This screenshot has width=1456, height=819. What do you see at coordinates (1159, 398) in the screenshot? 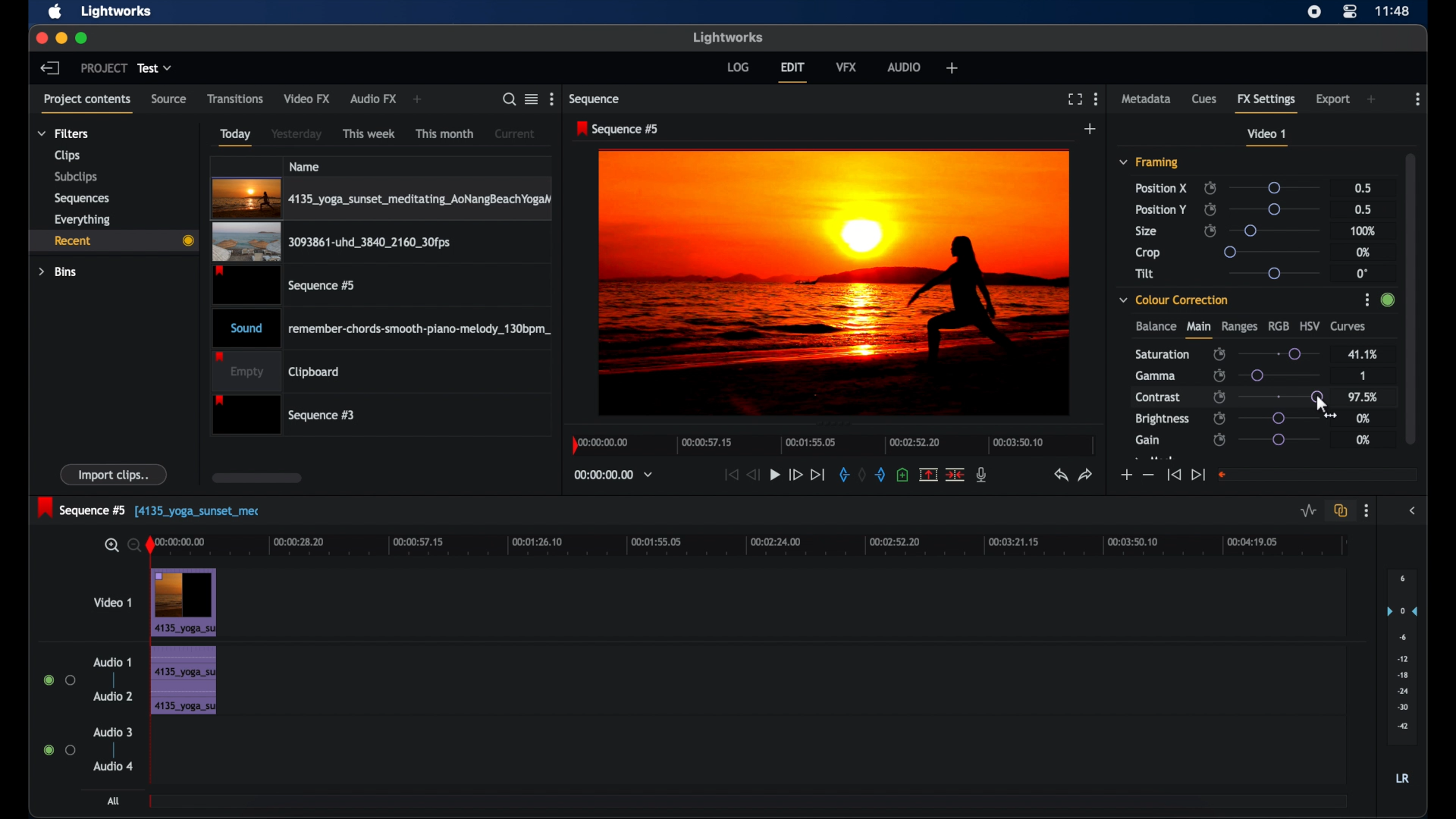
I see `contrast` at bounding box center [1159, 398].